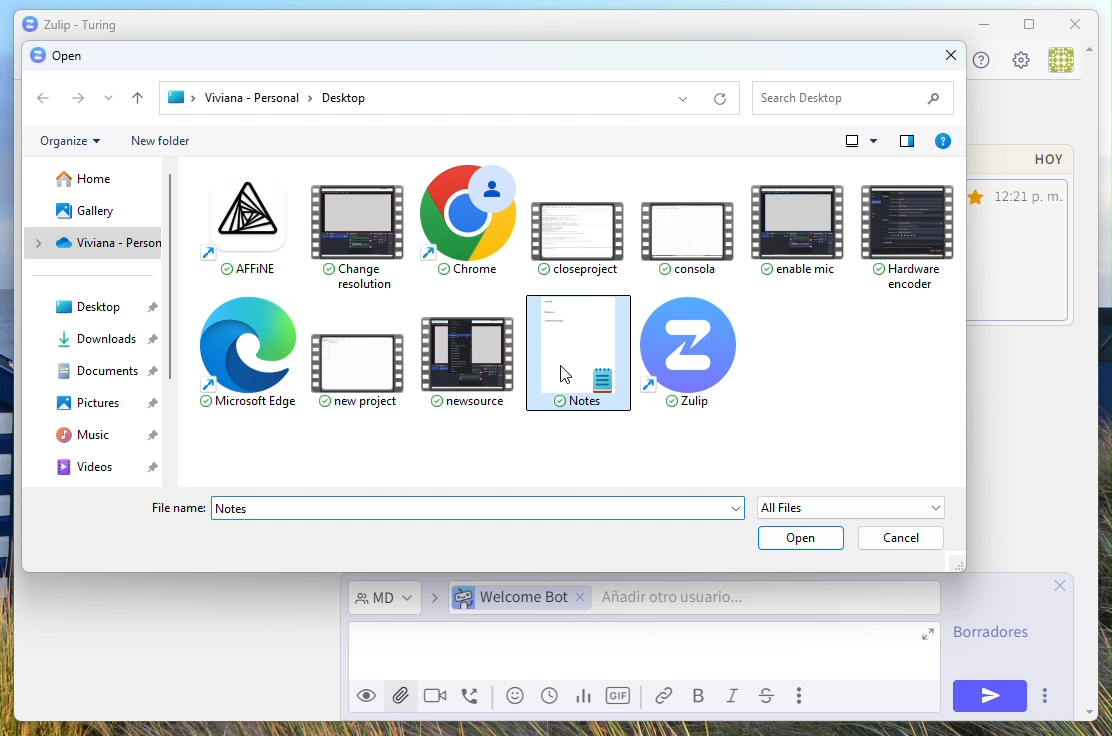 The height and width of the screenshot is (736, 1112). Describe the element at coordinates (767, 697) in the screenshot. I see `typescript` at that location.